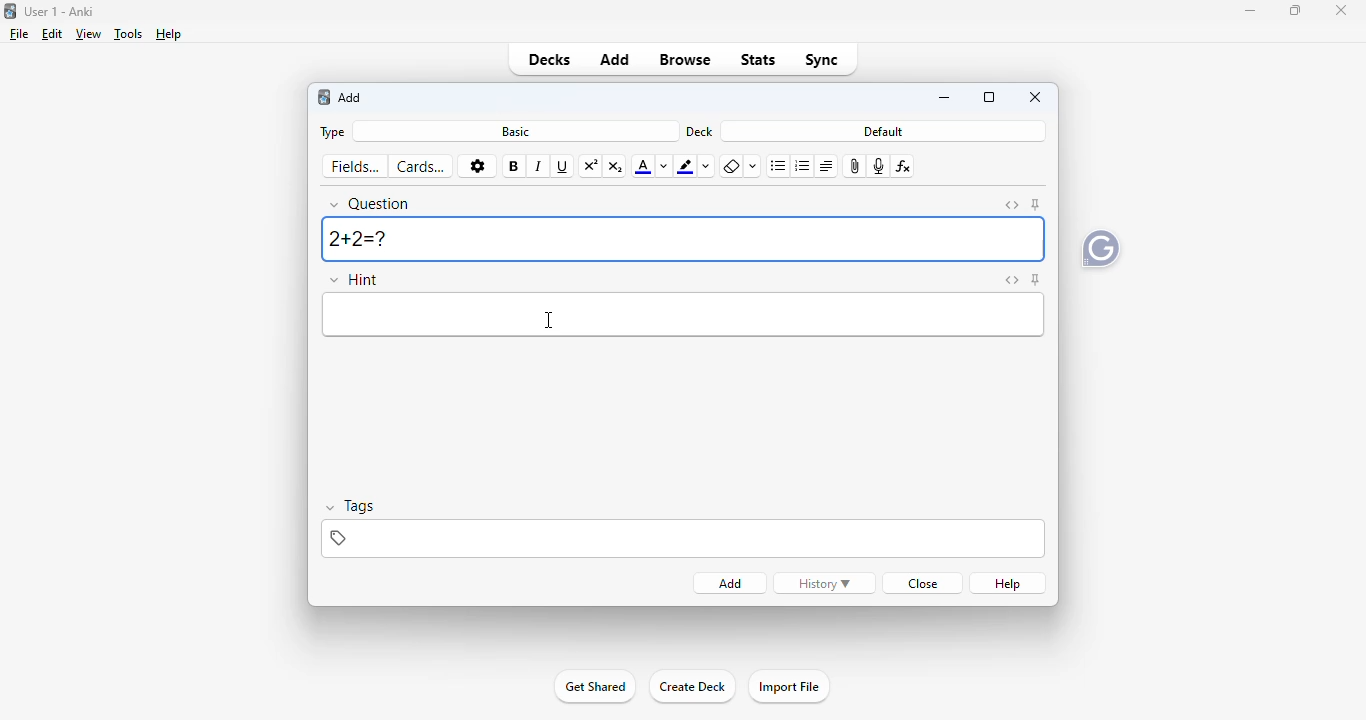 This screenshot has width=1366, height=720. Describe the element at coordinates (881, 131) in the screenshot. I see `default` at that location.